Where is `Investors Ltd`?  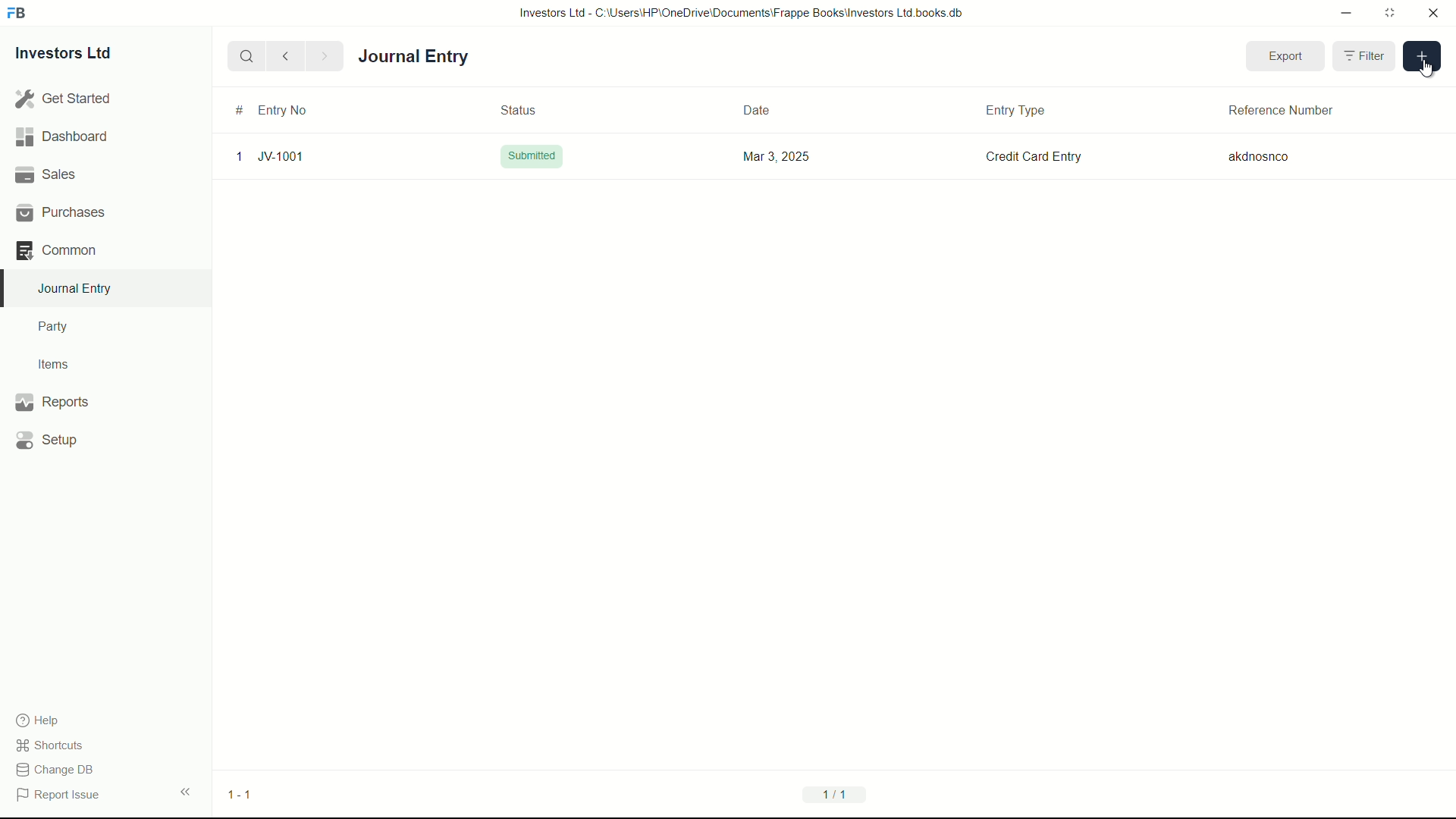 Investors Ltd is located at coordinates (77, 55).